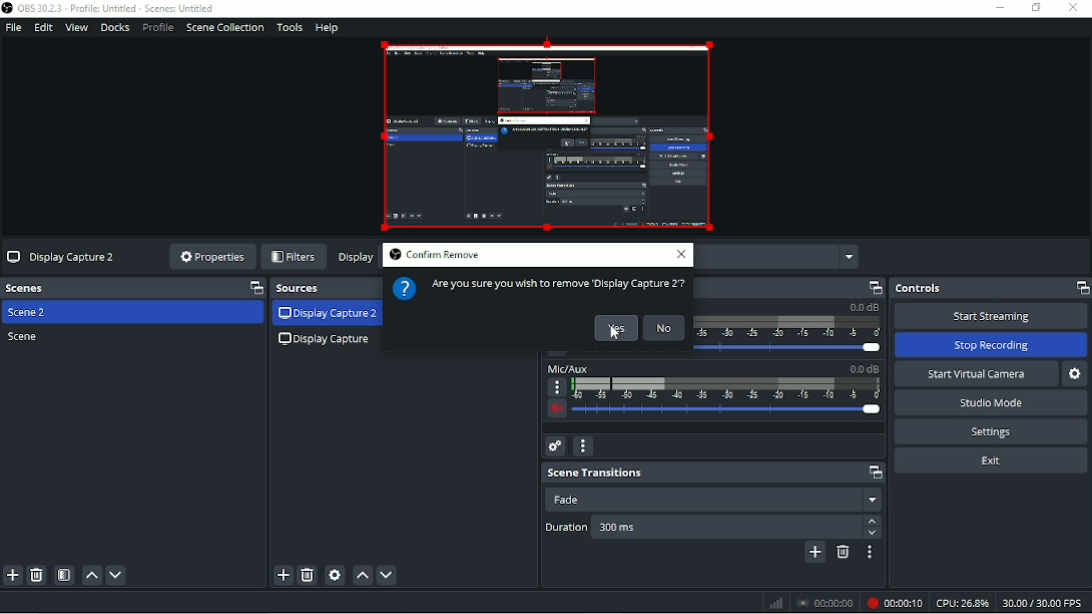 The width and height of the screenshot is (1092, 614). What do you see at coordinates (37, 575) in the screenshot?
I see `Remove selected scene` at bounding box center [37, 575].